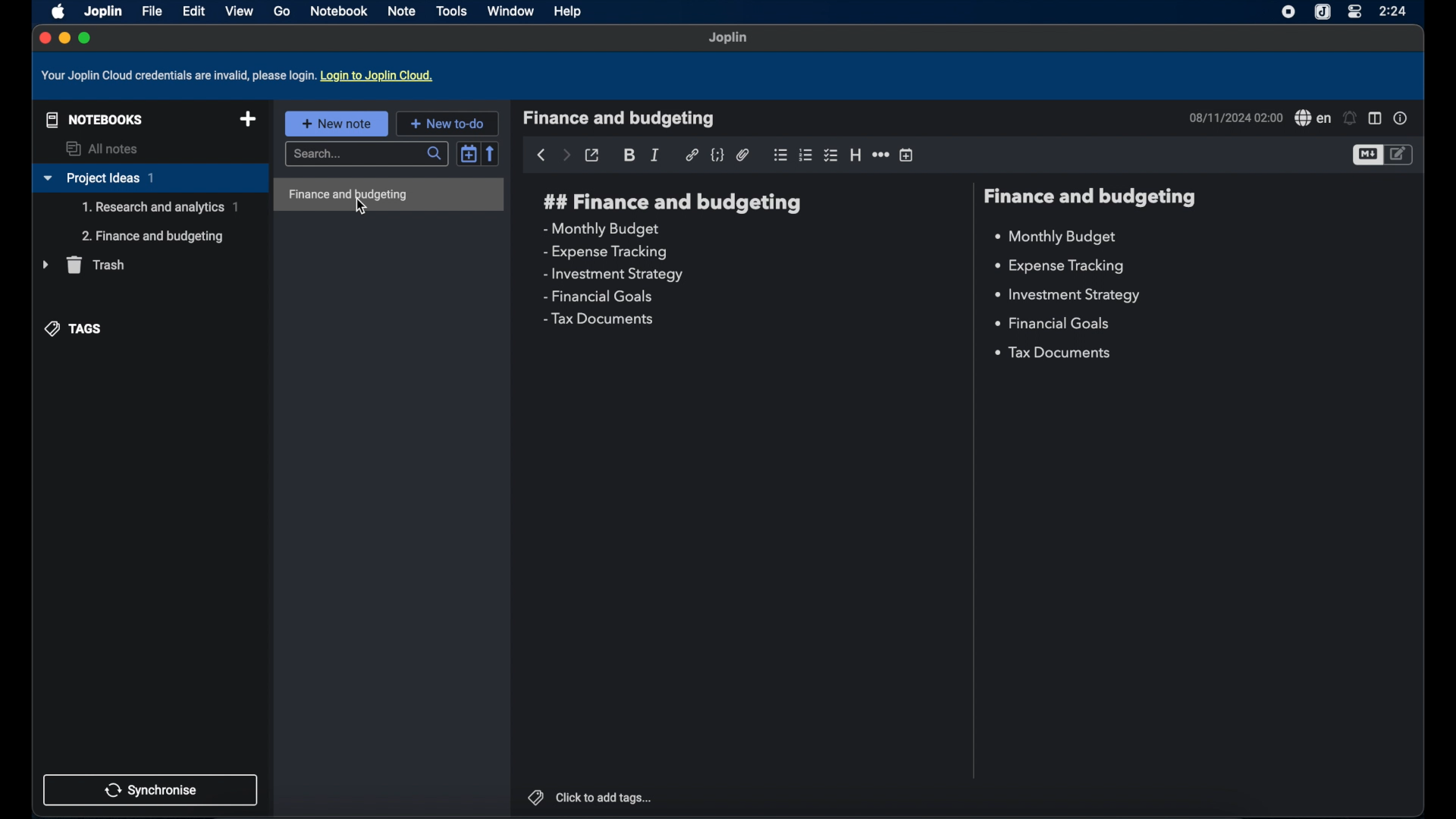  I want to click on window, so click(510, 11).